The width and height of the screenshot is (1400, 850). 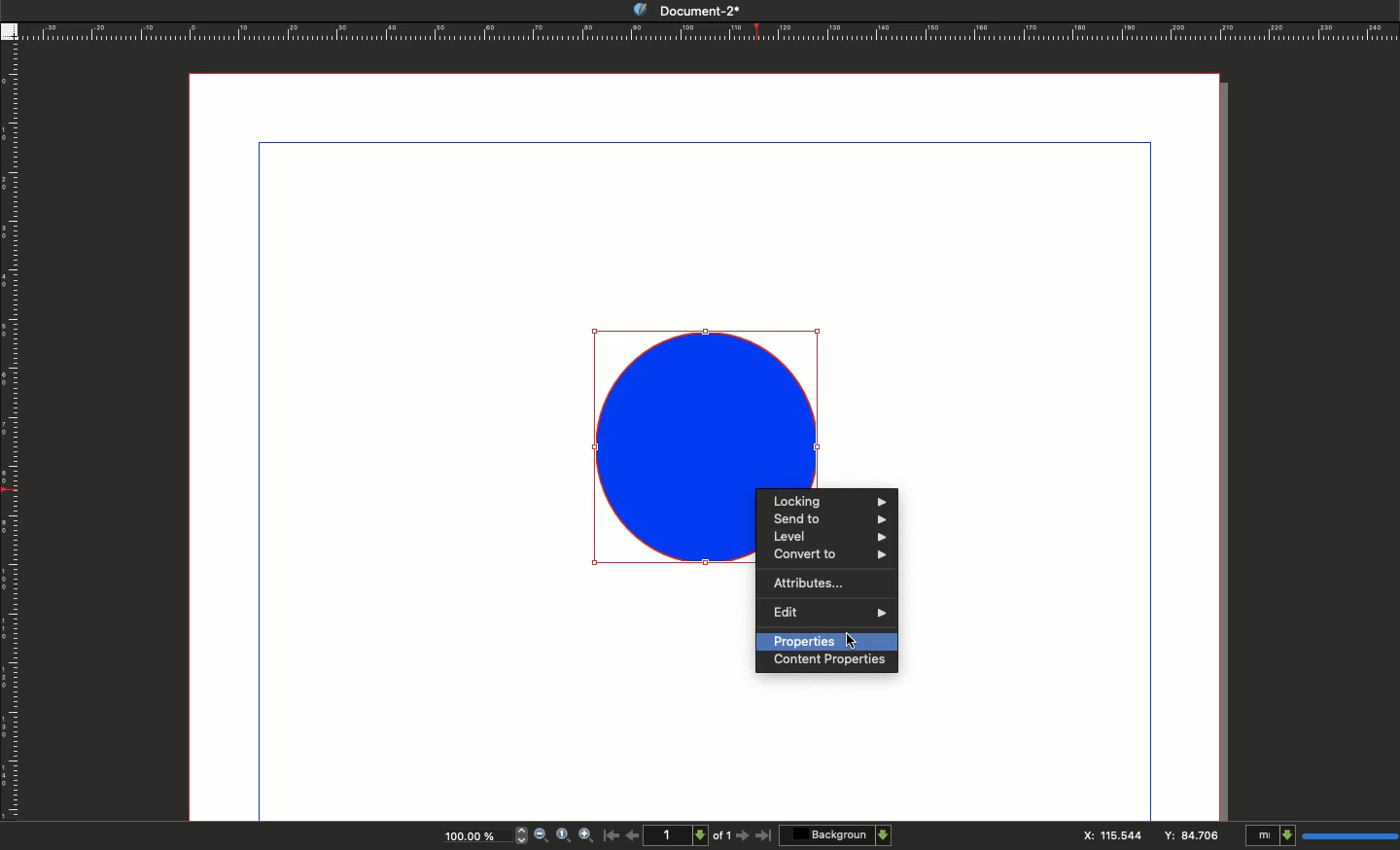 What do you see at coordinates (831, 519) in the screenshot?
I see `Send to` at bounding box center [831, 519].